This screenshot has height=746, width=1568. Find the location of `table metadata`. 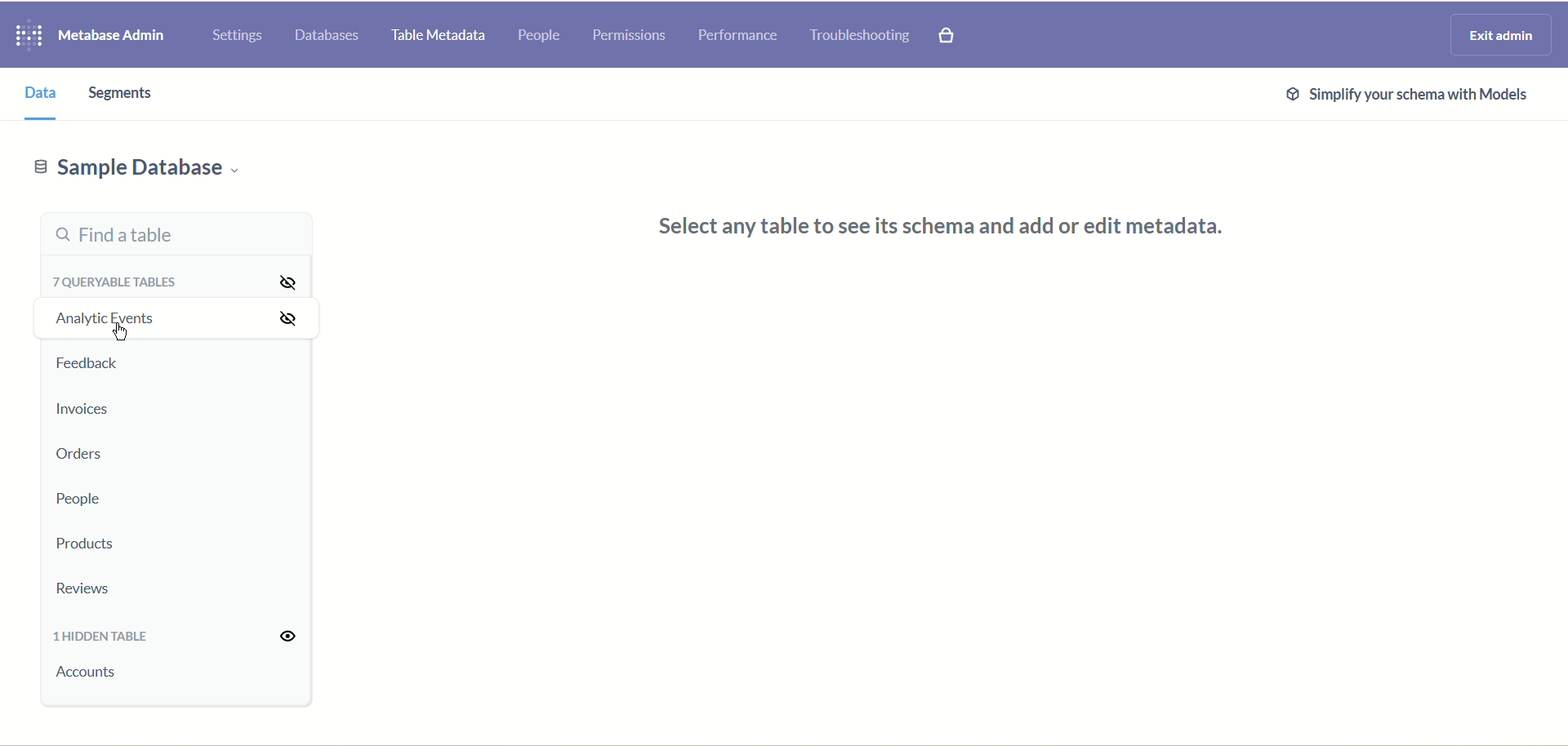

table metadata is located at coordinates (434, 37).